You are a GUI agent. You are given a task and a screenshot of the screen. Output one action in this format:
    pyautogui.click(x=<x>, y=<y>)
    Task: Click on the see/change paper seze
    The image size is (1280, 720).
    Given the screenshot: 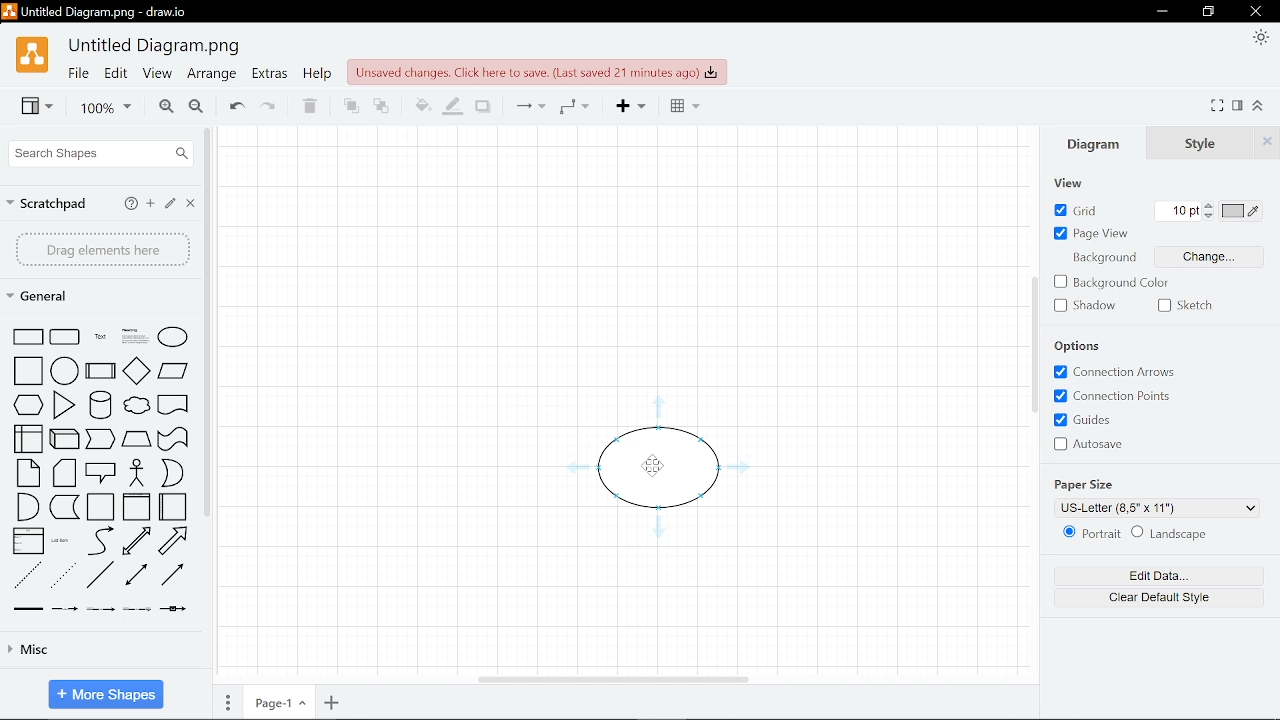 What is the action you would take?
    pyautogui.click(x=1159, y=507)
    